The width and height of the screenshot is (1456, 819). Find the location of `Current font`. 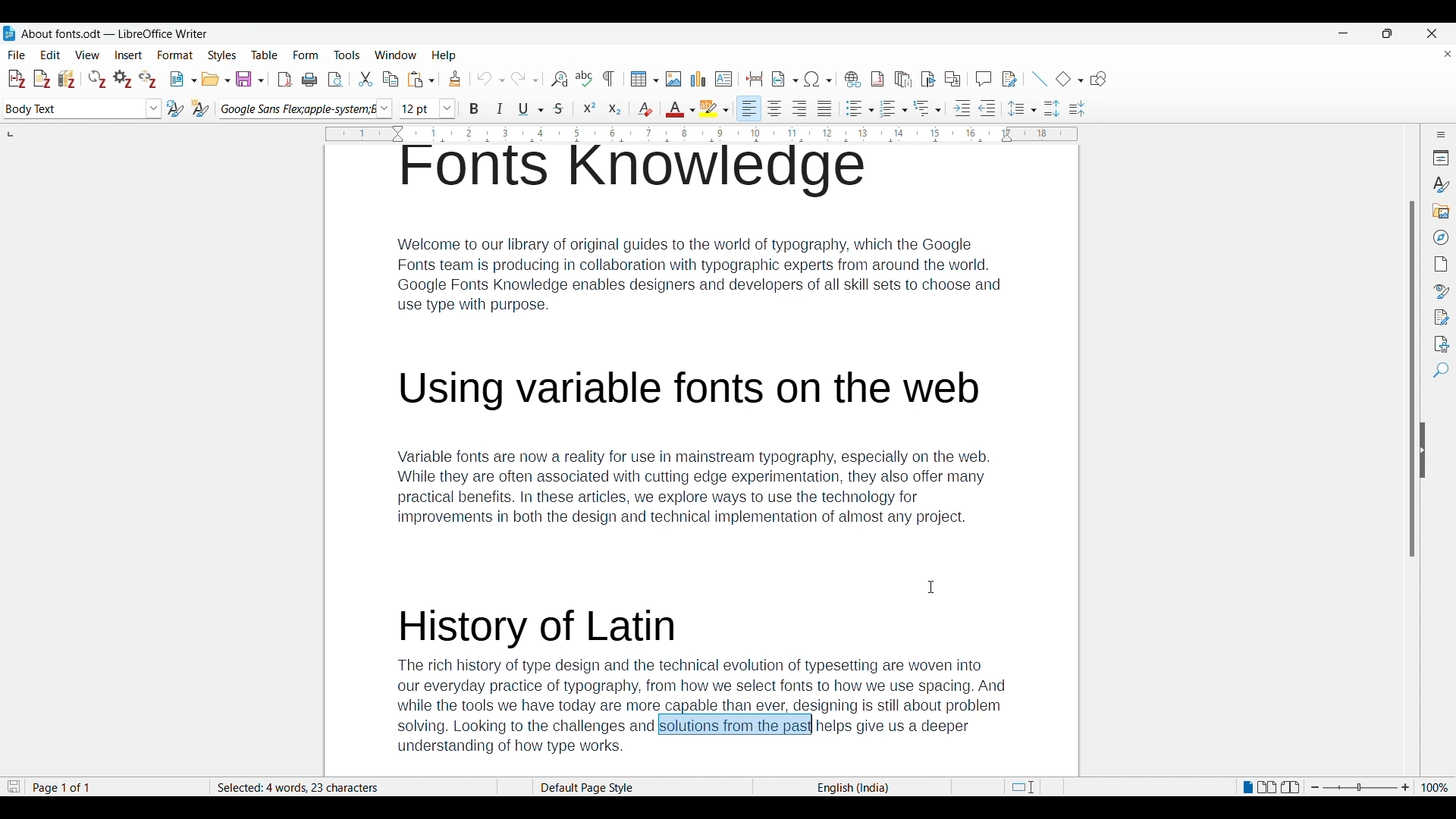

Current font is located at coordinates (297, 109).